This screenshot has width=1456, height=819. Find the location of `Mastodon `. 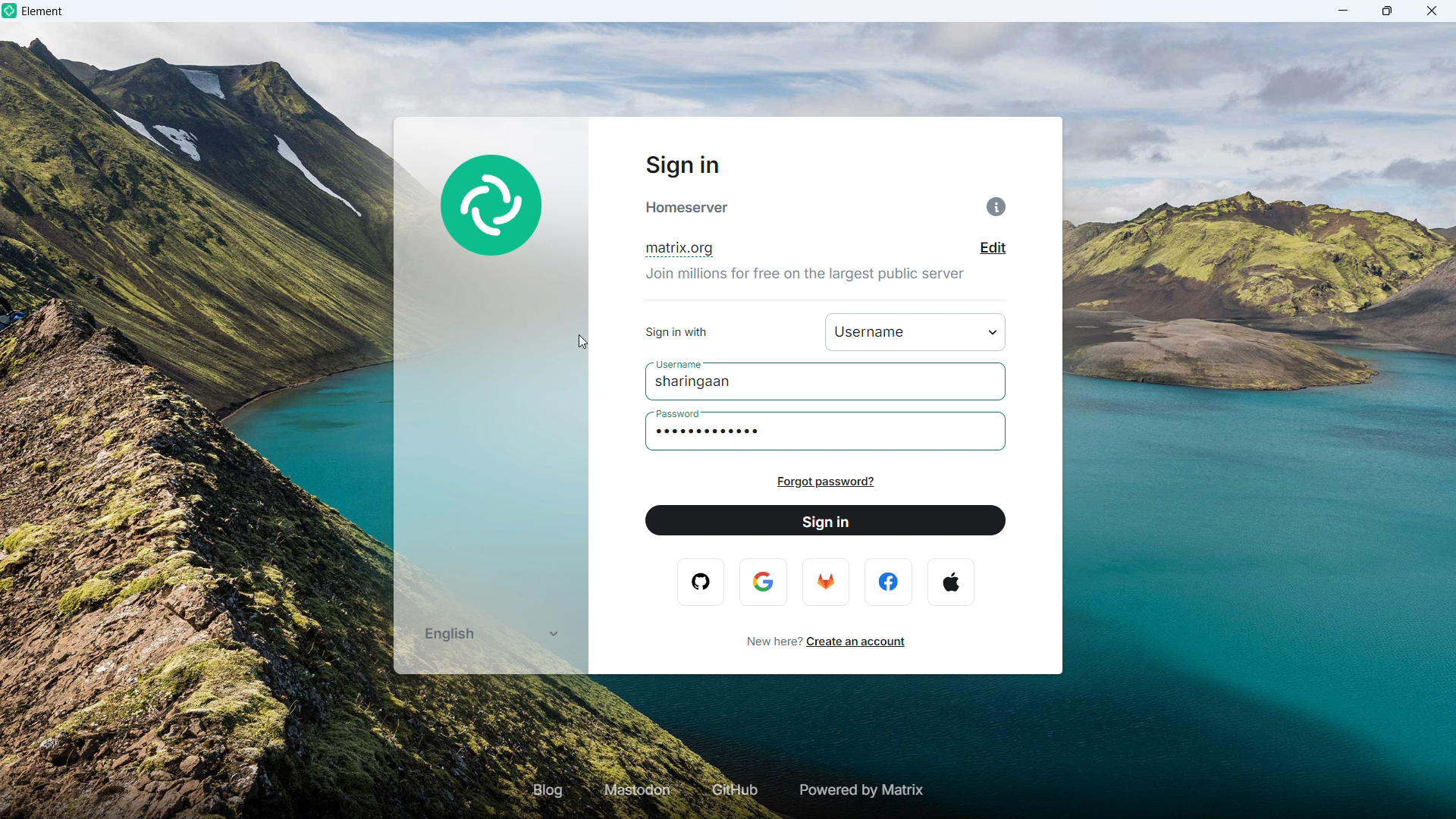

Mastodon  is located at coordinates (639, 790).